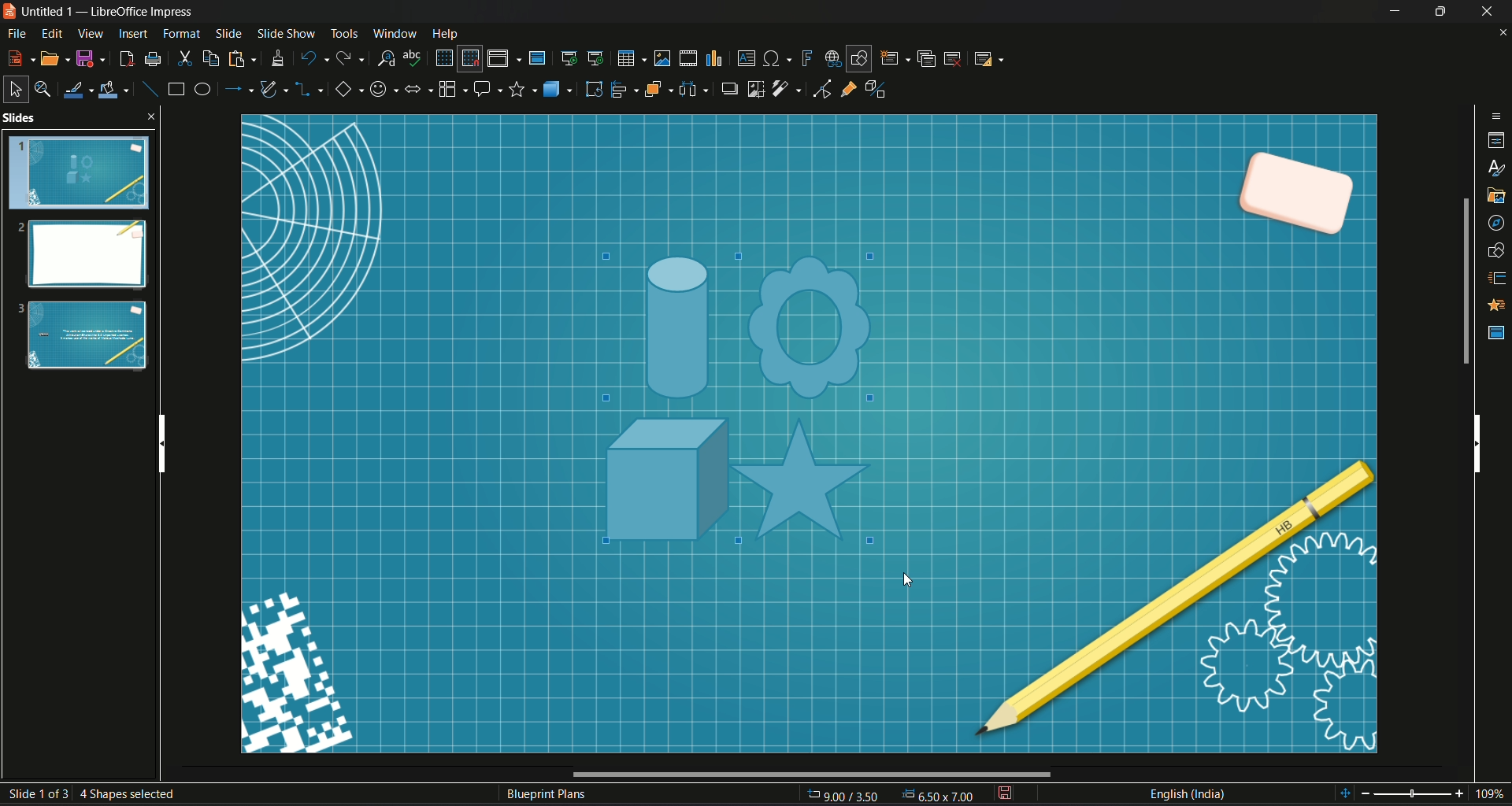 This screenshot has height=806, width=1512. I want to click on master slide, so click(1497, 333).